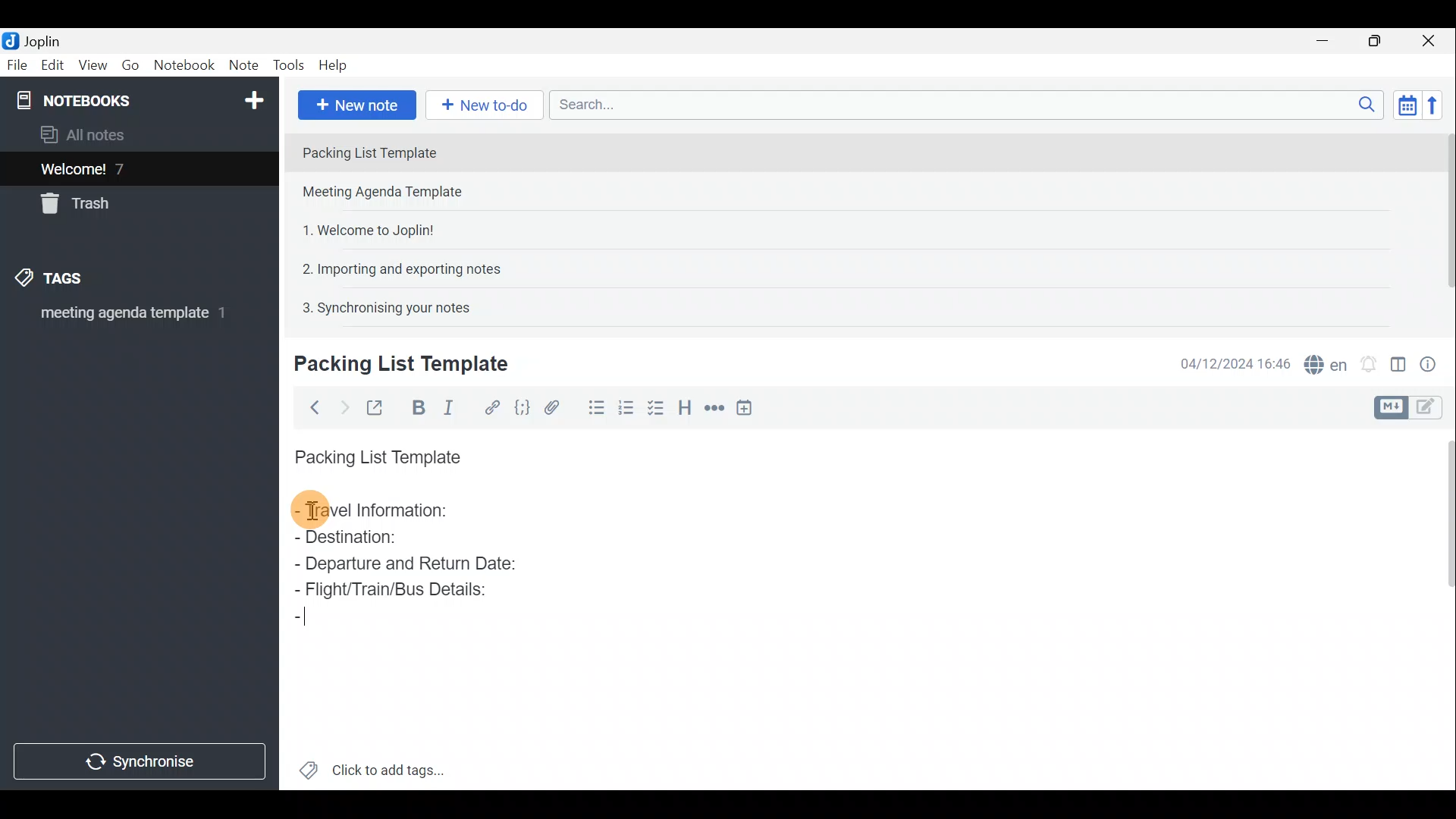 The width and height of the screenshot is (1456, 819). I want to click on Spell checker, so click(1322, 362).